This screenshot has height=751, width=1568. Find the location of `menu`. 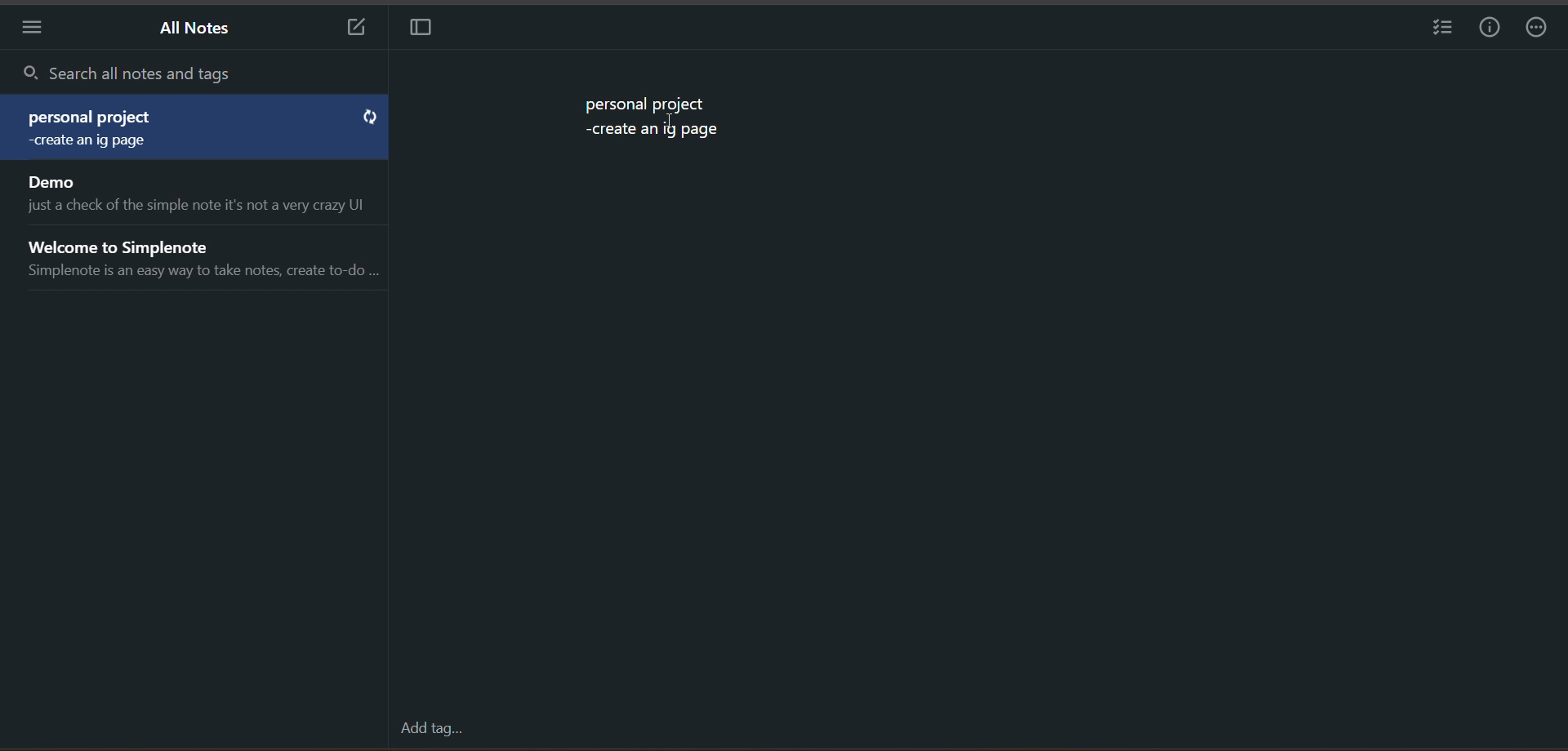

menu is located at coordinates (30, 31).